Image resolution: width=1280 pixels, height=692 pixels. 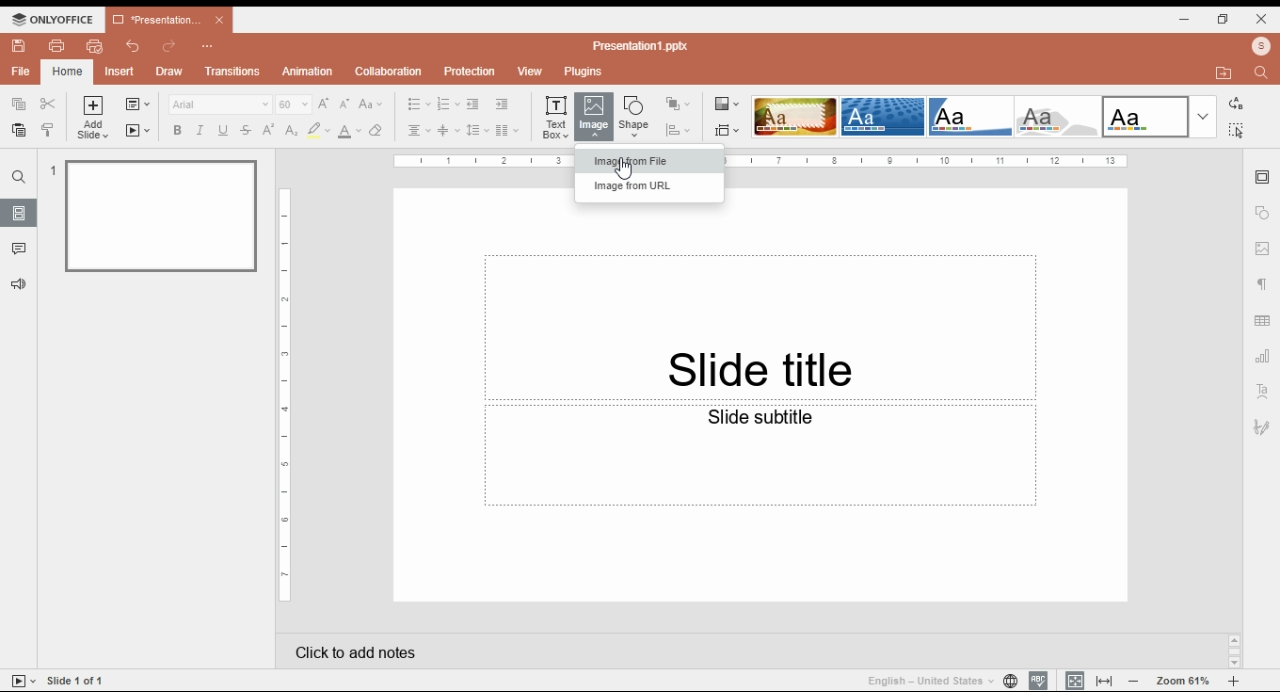 What do you see at coordinates (18, 104) in the screenshot?
I see `copy` at bounding box center [18, 104].